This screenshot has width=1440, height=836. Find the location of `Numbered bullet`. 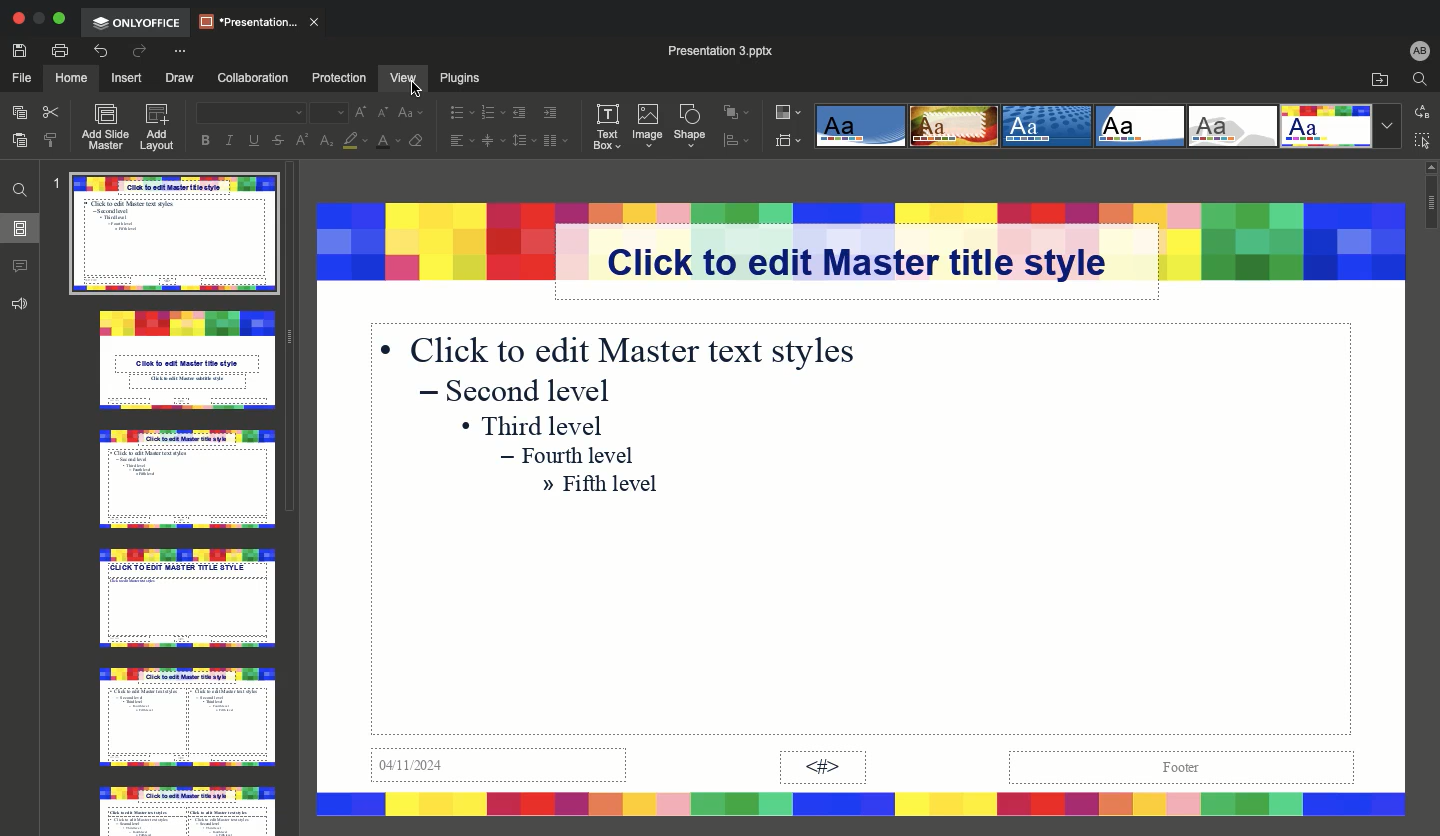

Numbered bullet is located at coordinates (491, 110).